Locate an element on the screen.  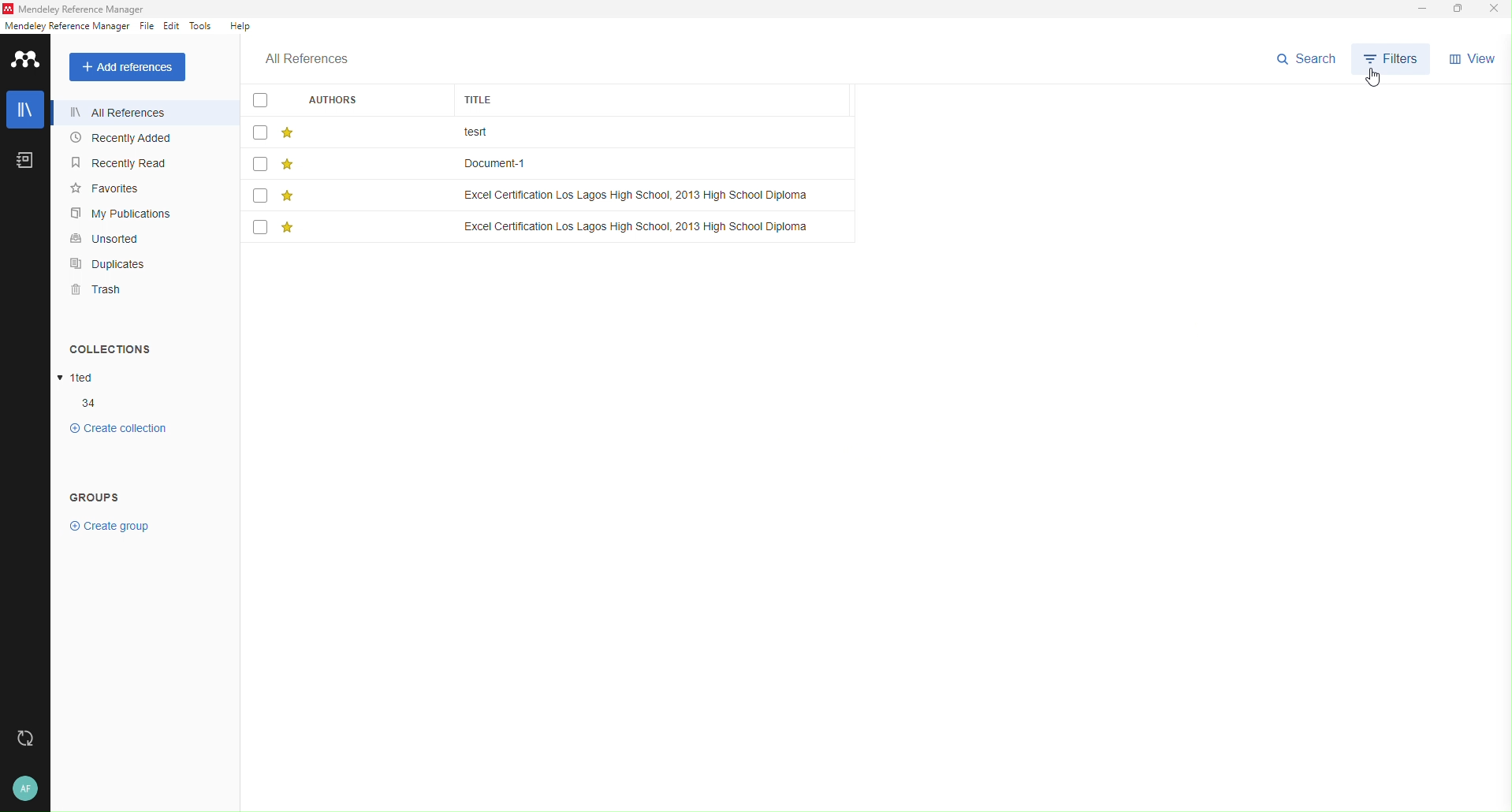
collections is located at coordinates (121, 429).